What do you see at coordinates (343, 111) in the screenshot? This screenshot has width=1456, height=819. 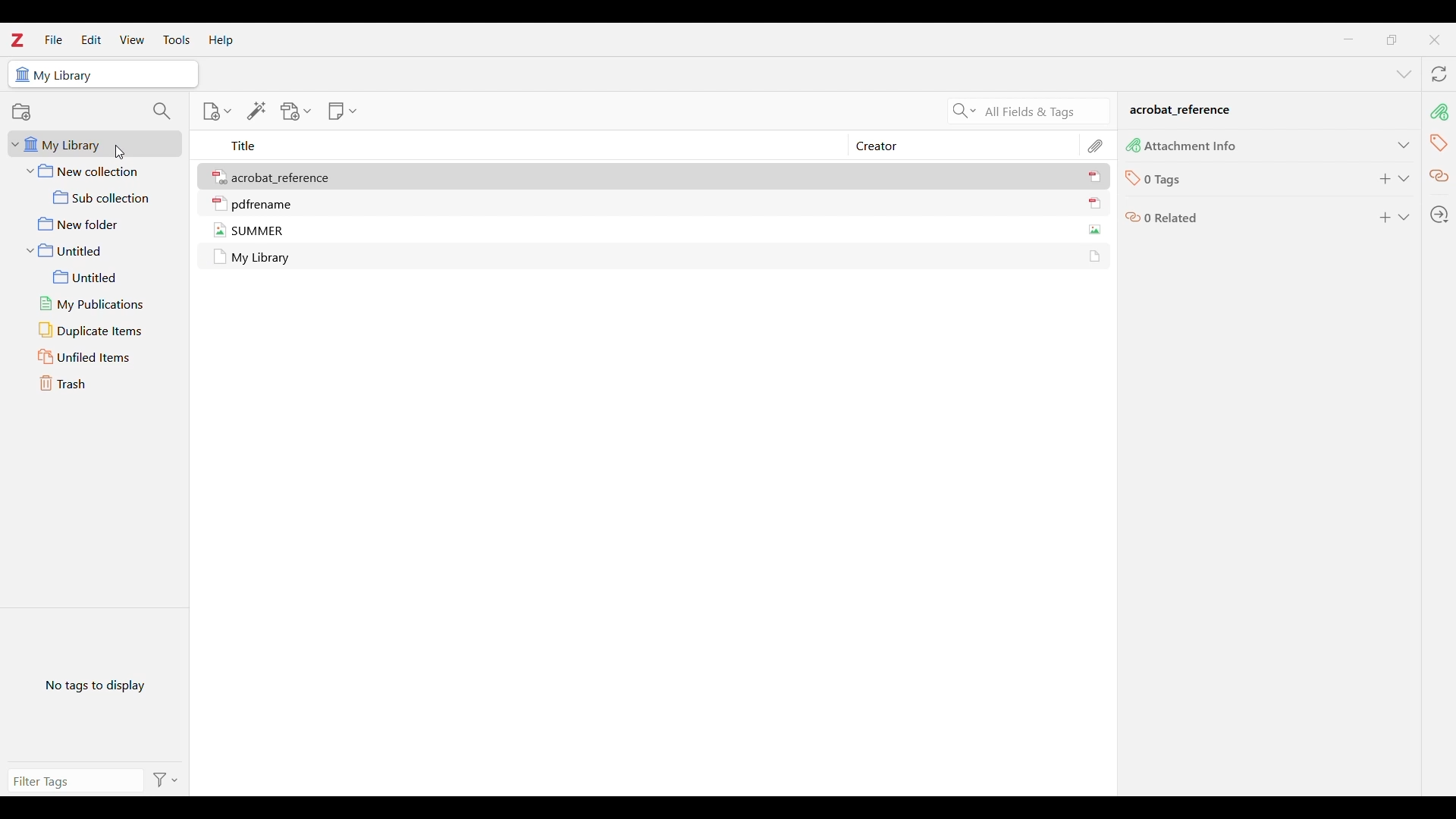 I see `New note options` at bounding box center [343, 111].